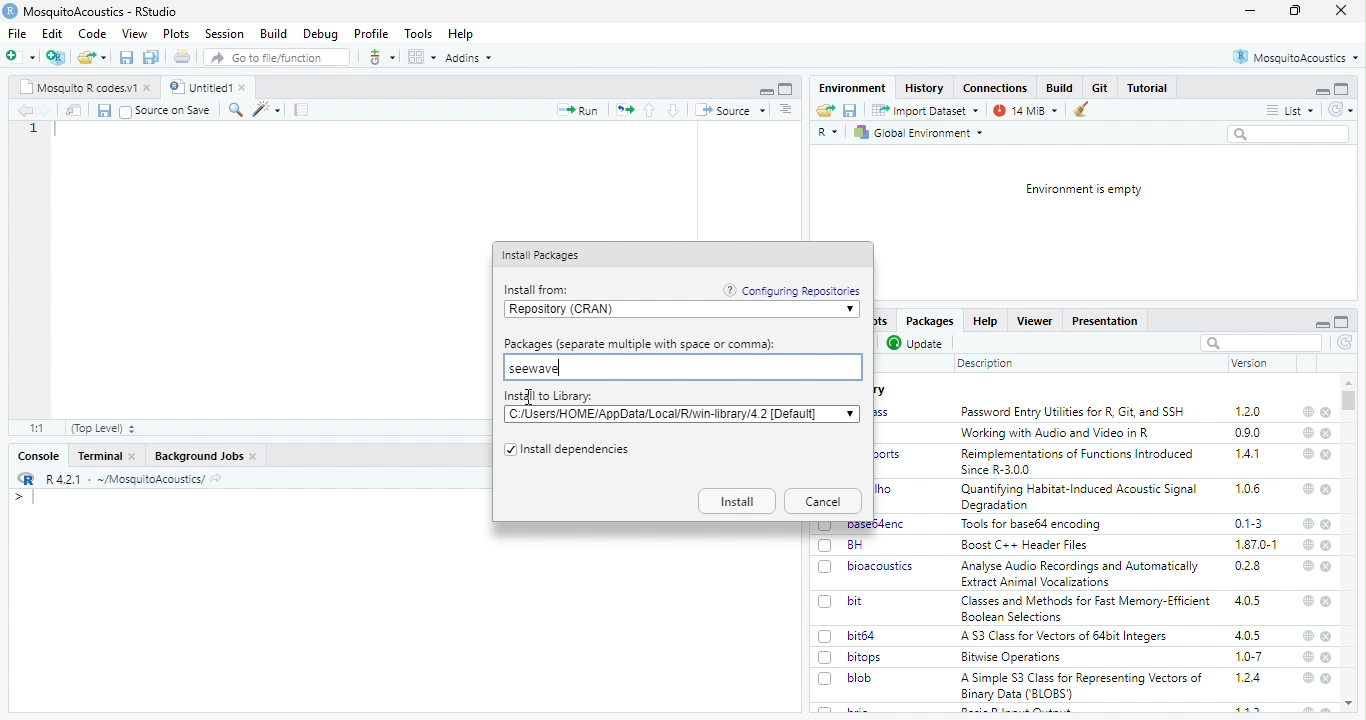 Image resolution: width=1366 pixels, height=720 pixels. What do you see at coordinates (1328, 413) in the screenshot?
I see `close` at bounding box center [1328, 413].